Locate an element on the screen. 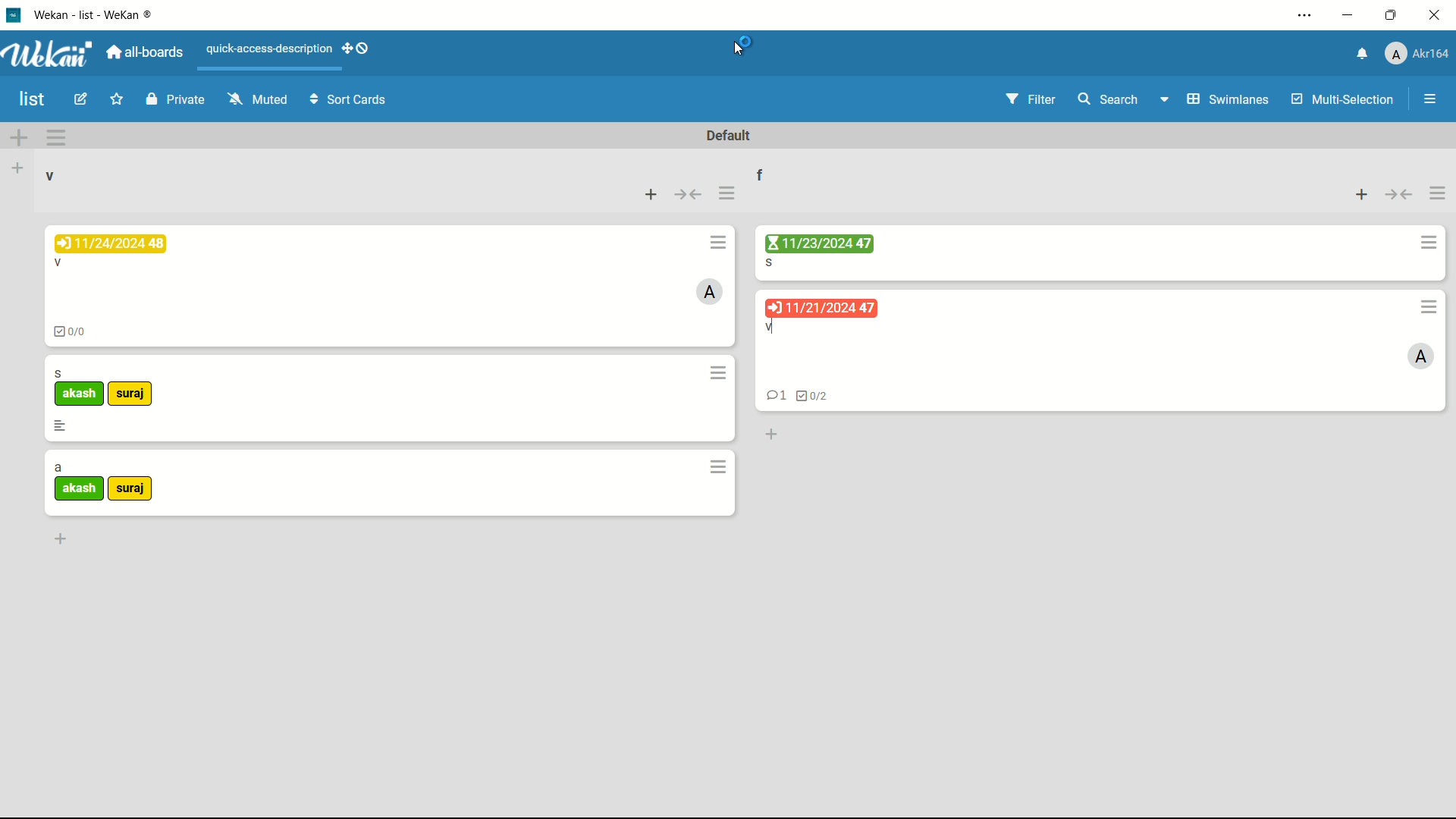  filter is located at coordinates (1034, 99).